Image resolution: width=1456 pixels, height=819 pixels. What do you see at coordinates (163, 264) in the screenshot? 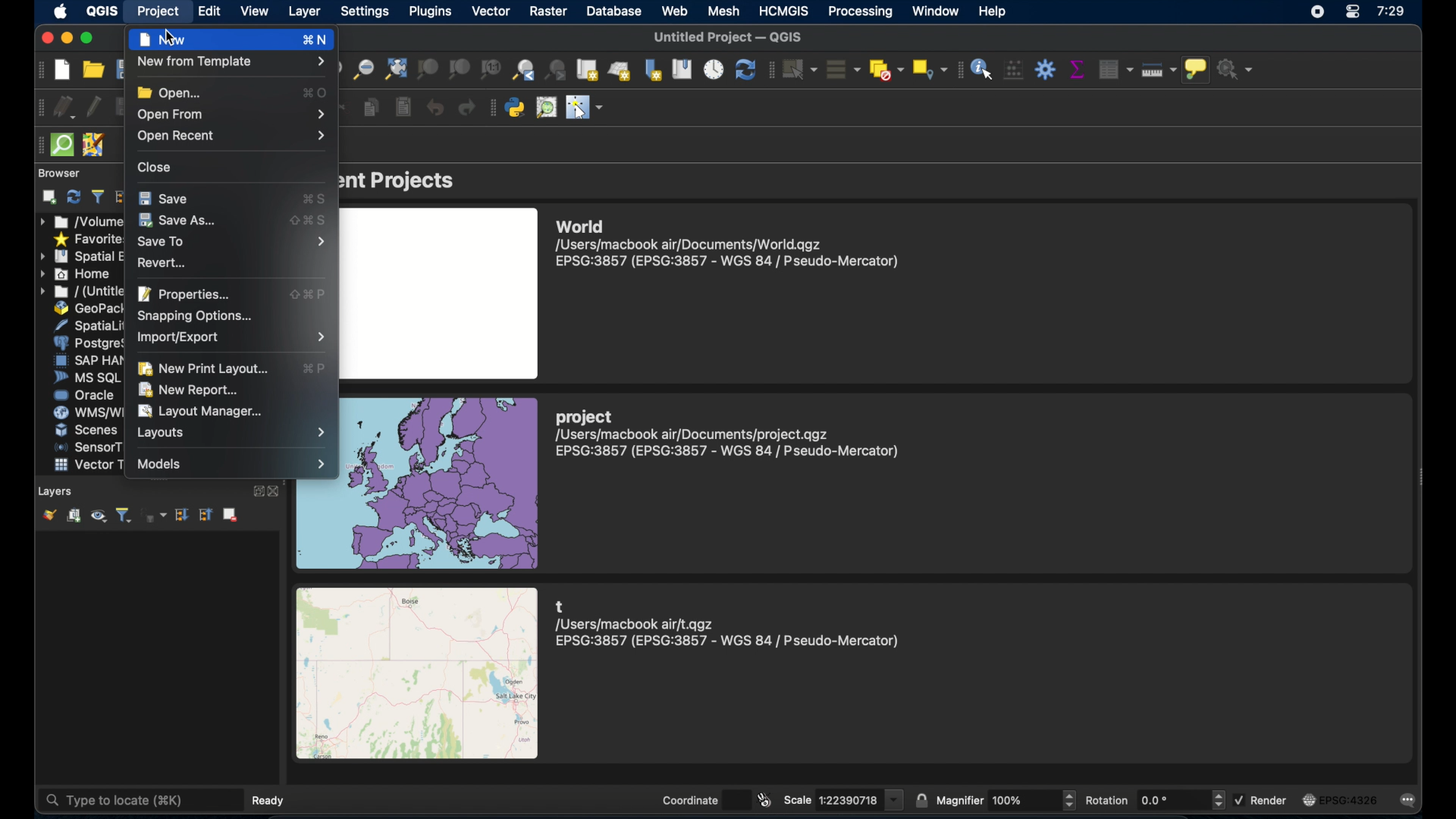
I see `revert` at bounding box center [163, 264].